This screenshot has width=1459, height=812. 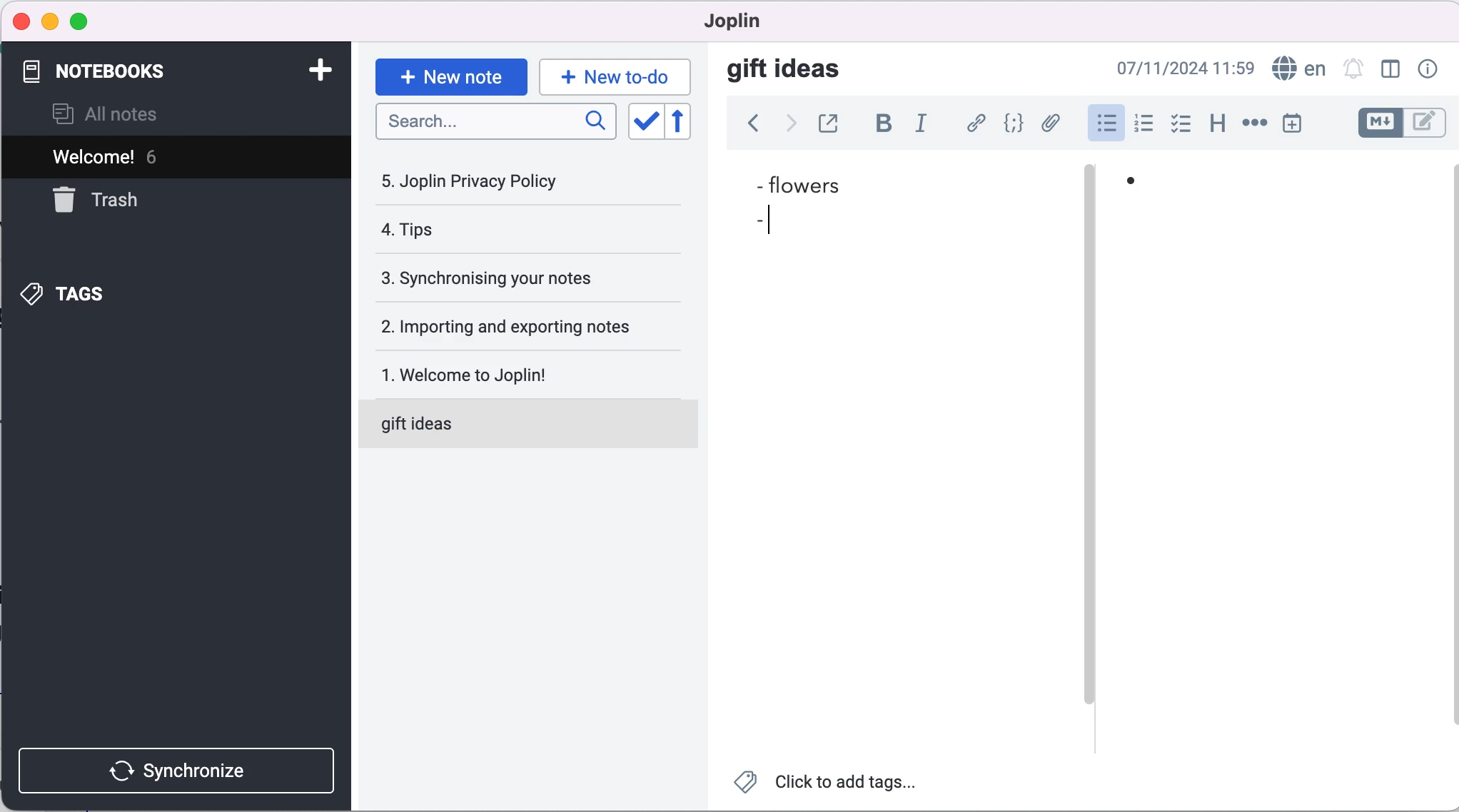 I want to click on language, so click(x=1298, y=69).